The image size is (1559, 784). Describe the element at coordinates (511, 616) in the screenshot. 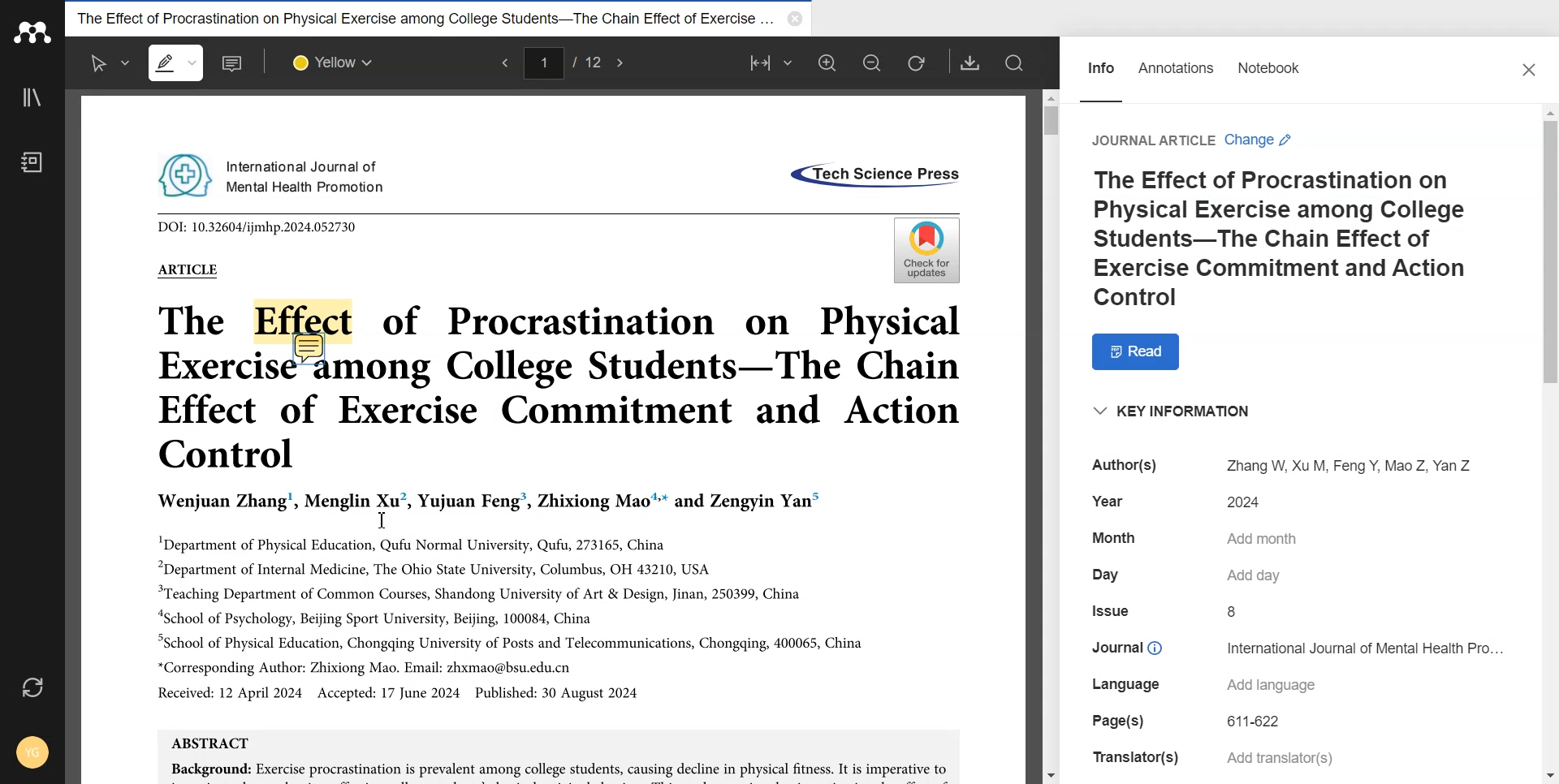

I see `"Department of Physical Education, Qufu Normal University, Qufu, 273165, China

“Department of Internal Medicine, The Ohio State University, Columbus, OH 43210, USA

“Teaching Department of Common Courses, Shandong University of Art & Design, Jinan, 250399, China

“School of Psychology, Beijing Sport University, Beijing, 100084, China

“School of Physical Education, Chongqing University of Posts and Telecommunications, Chongqing, 400065, China
*Corresponding Author: Zhixiong Mao. Email: zhxmao@bsu.edu.cn

Received: 12 April 2024 Accepted: 17 June 2024 Published: 30 August 2024` at that location.